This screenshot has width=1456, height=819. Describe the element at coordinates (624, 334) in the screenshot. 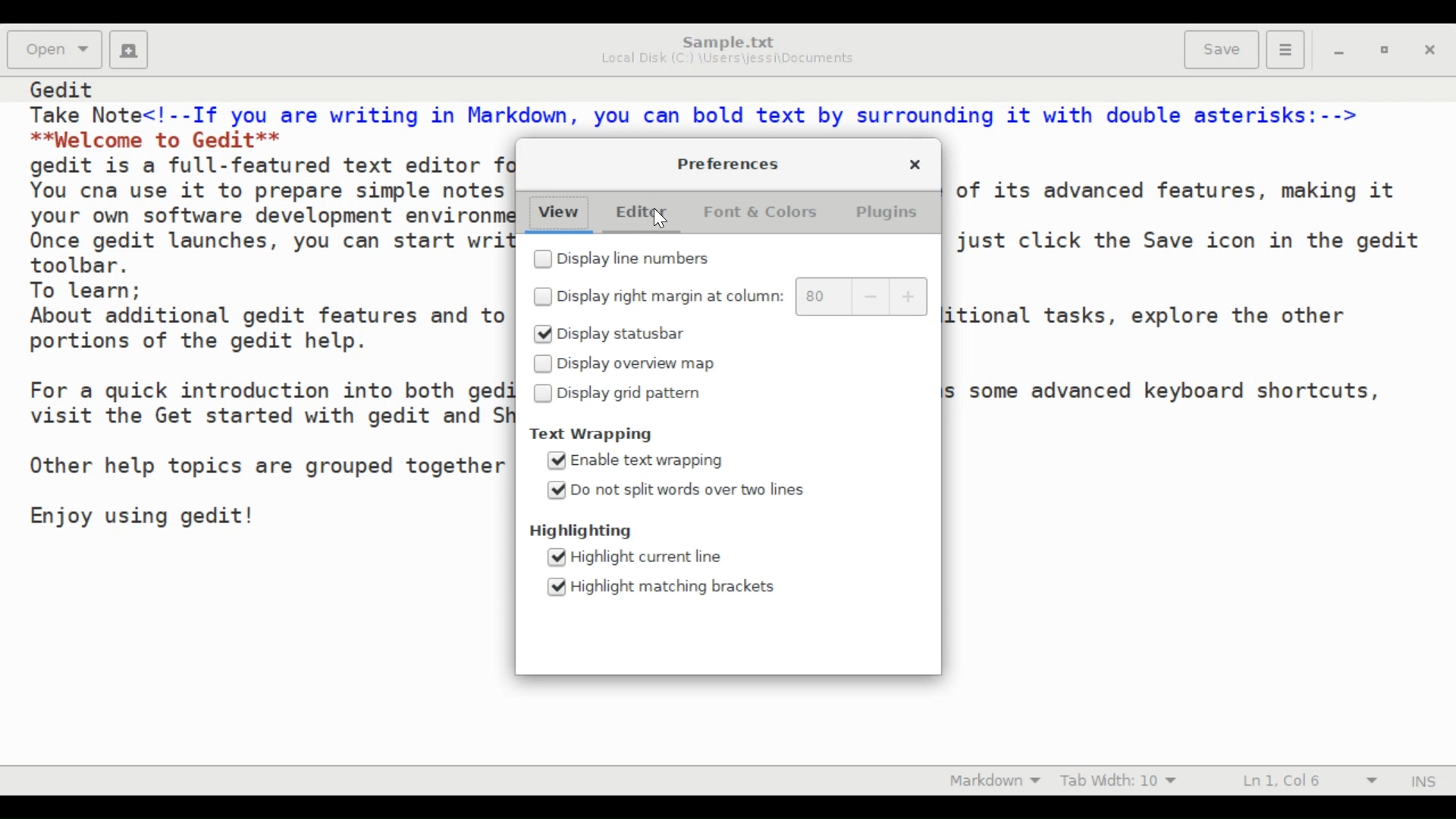

I see `(un)select Display statusbar` at that location.